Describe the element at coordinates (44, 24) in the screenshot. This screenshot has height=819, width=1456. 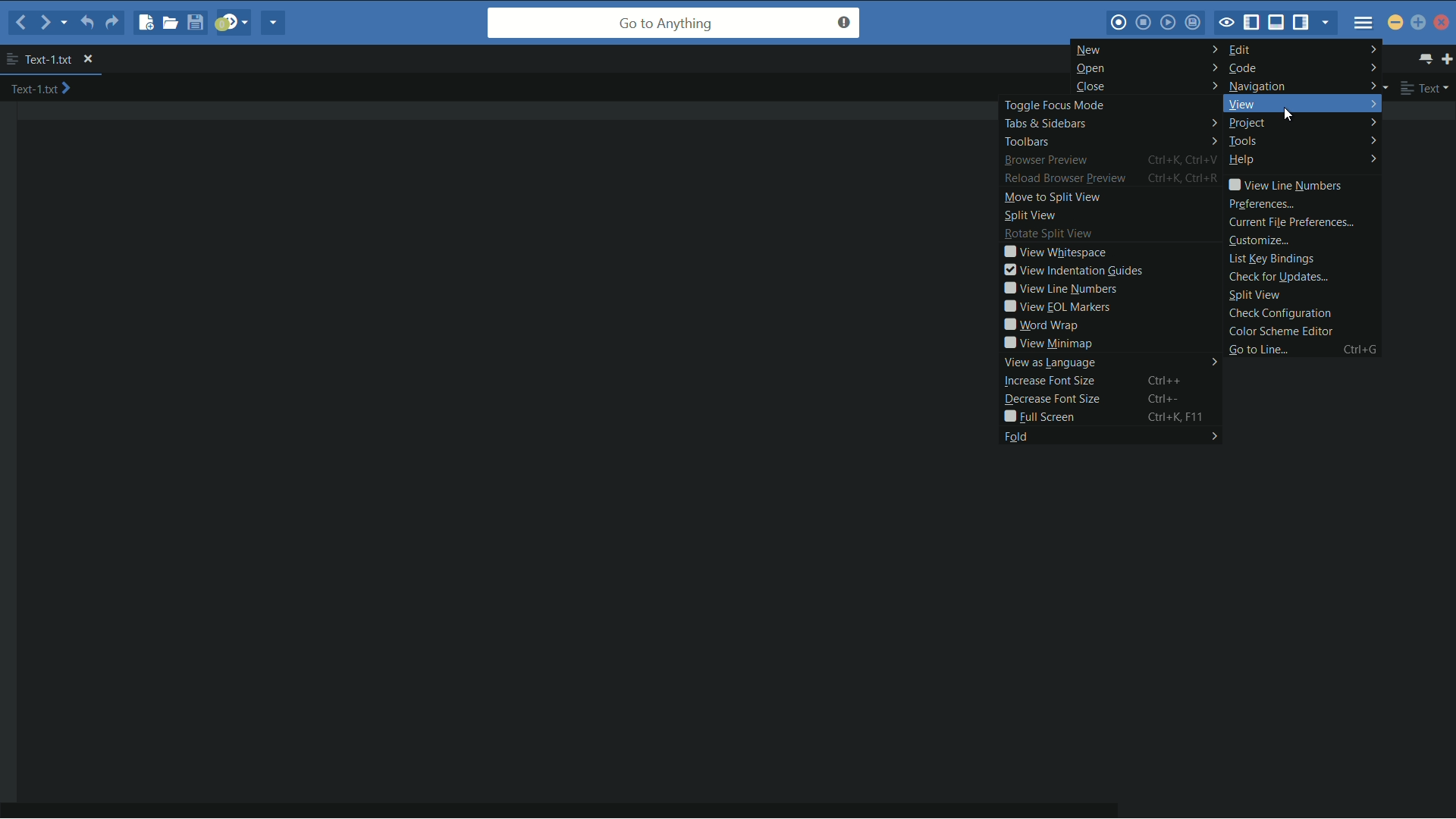
I see `forward` at that location.